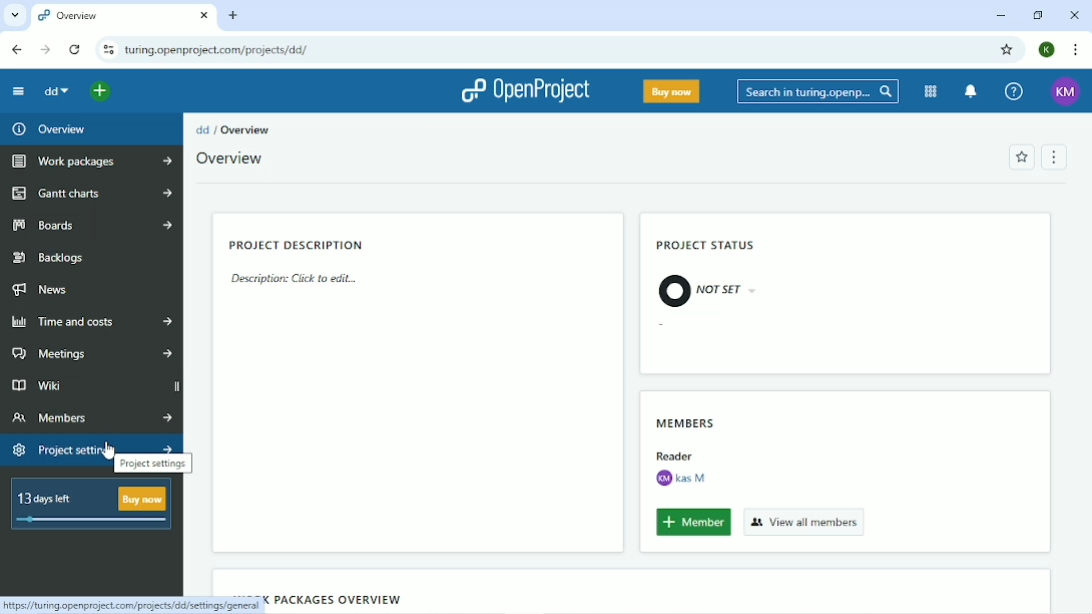 This screenshot has height=614, width=1092. I want to click on Members, so click(689, 423).